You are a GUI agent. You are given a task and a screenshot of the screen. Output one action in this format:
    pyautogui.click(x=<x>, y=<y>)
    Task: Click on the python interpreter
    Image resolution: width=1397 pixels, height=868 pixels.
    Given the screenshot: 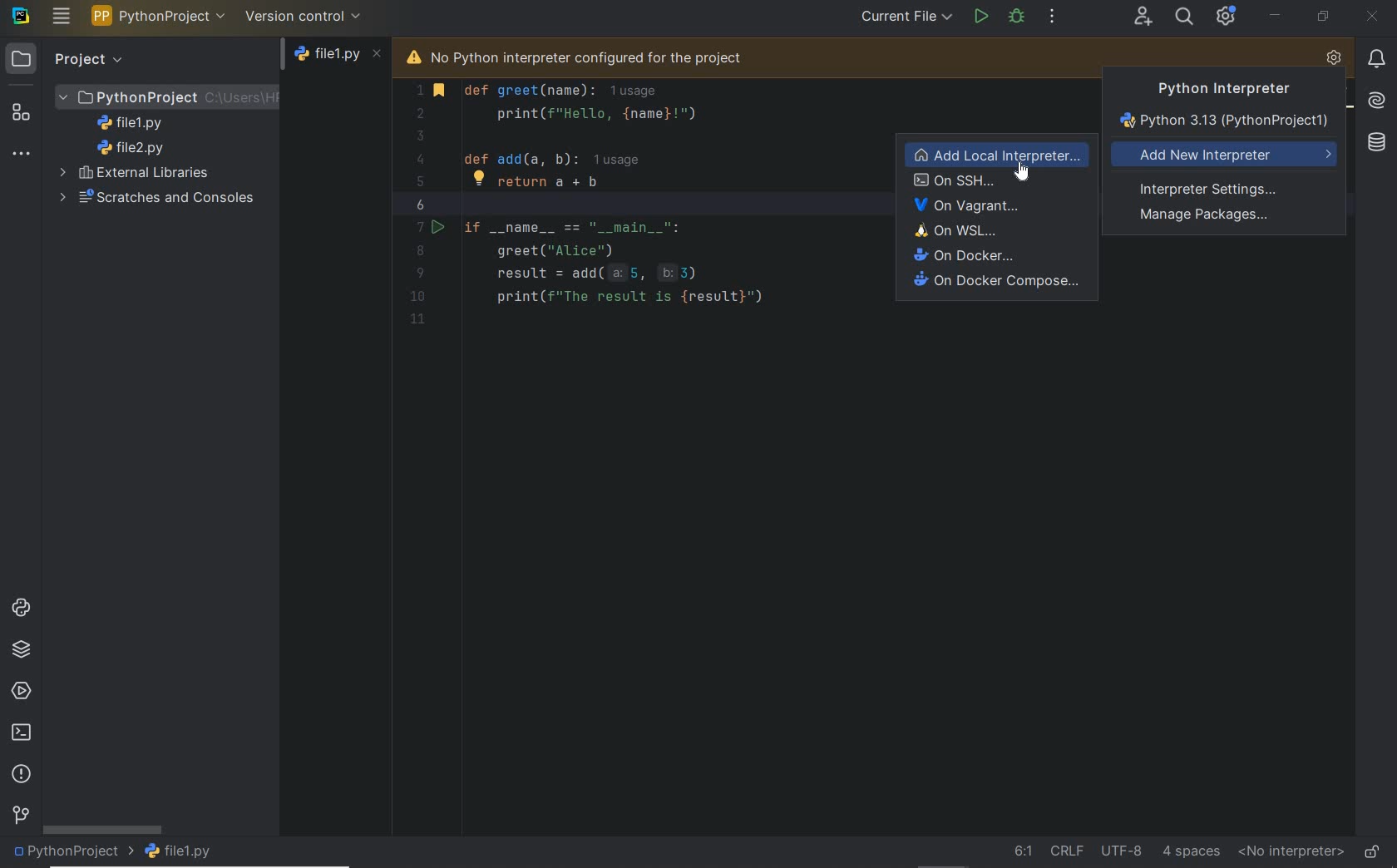 What is the action you would take?
    pyautogui.click(x=1334, y=59)
    